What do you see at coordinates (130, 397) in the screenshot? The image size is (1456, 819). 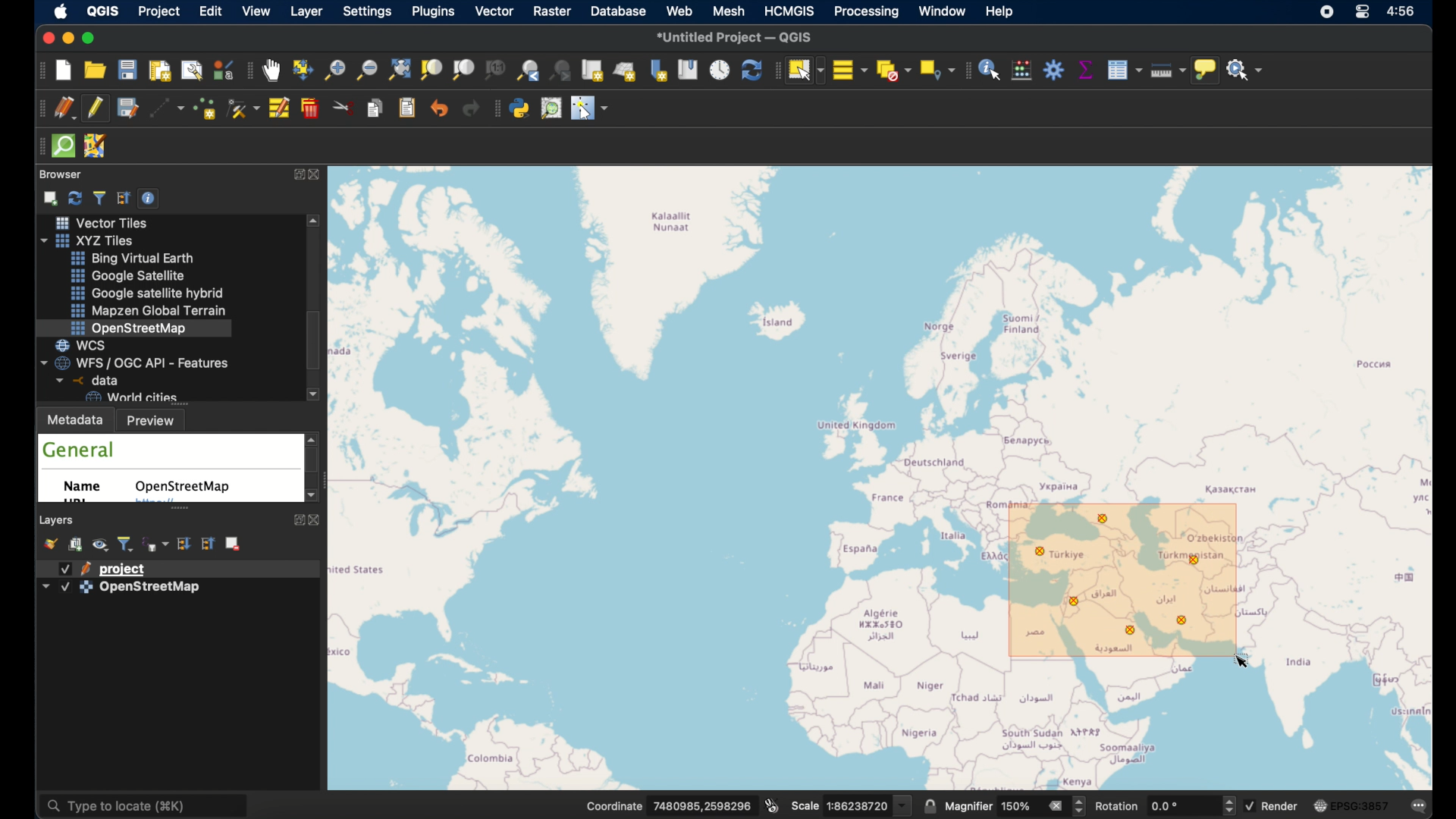 I see `world cities` at bounding box center [130, 397].